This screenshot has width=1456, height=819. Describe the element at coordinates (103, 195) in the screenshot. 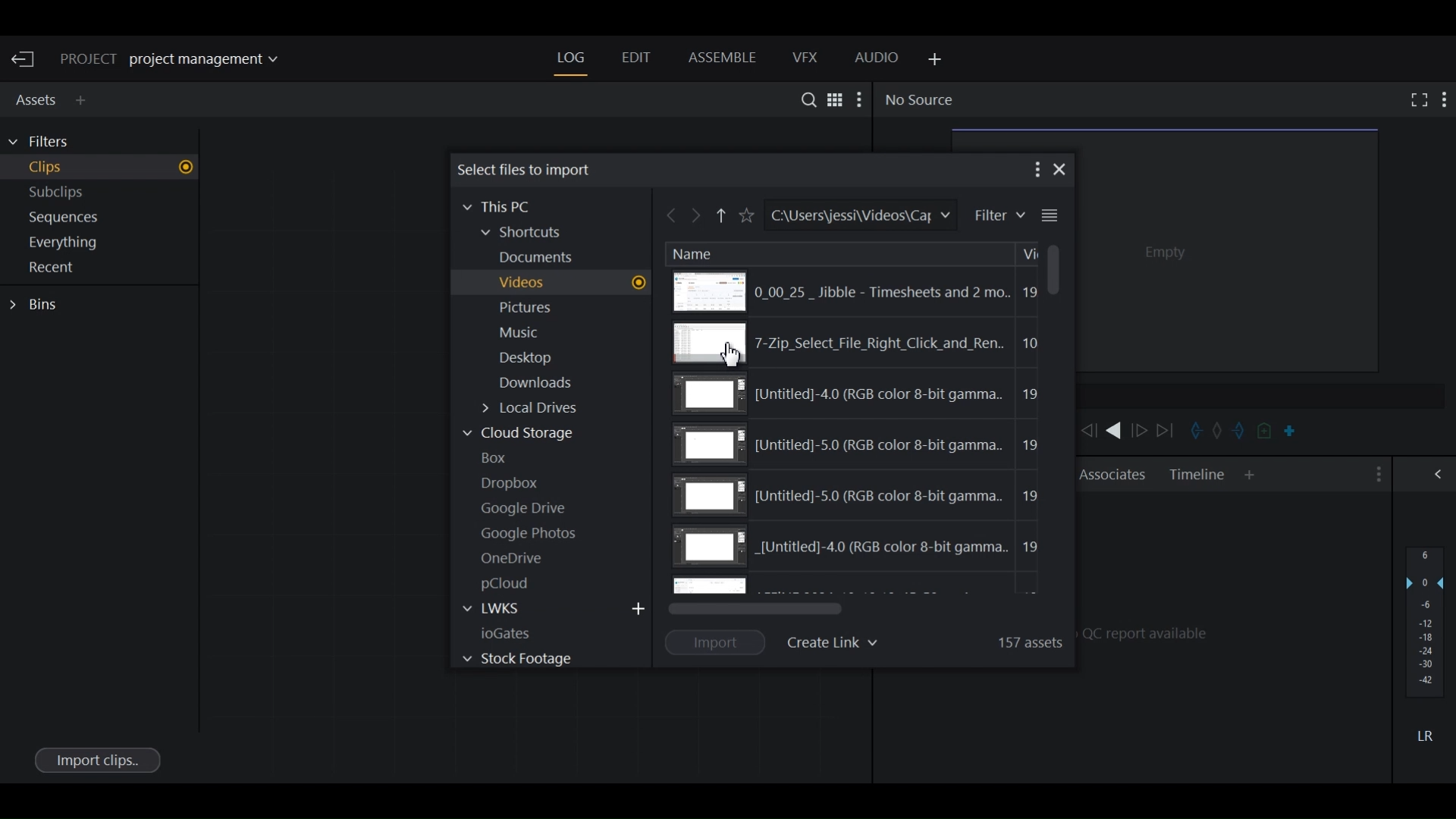

I see `Show Subclips in current project` at that location.